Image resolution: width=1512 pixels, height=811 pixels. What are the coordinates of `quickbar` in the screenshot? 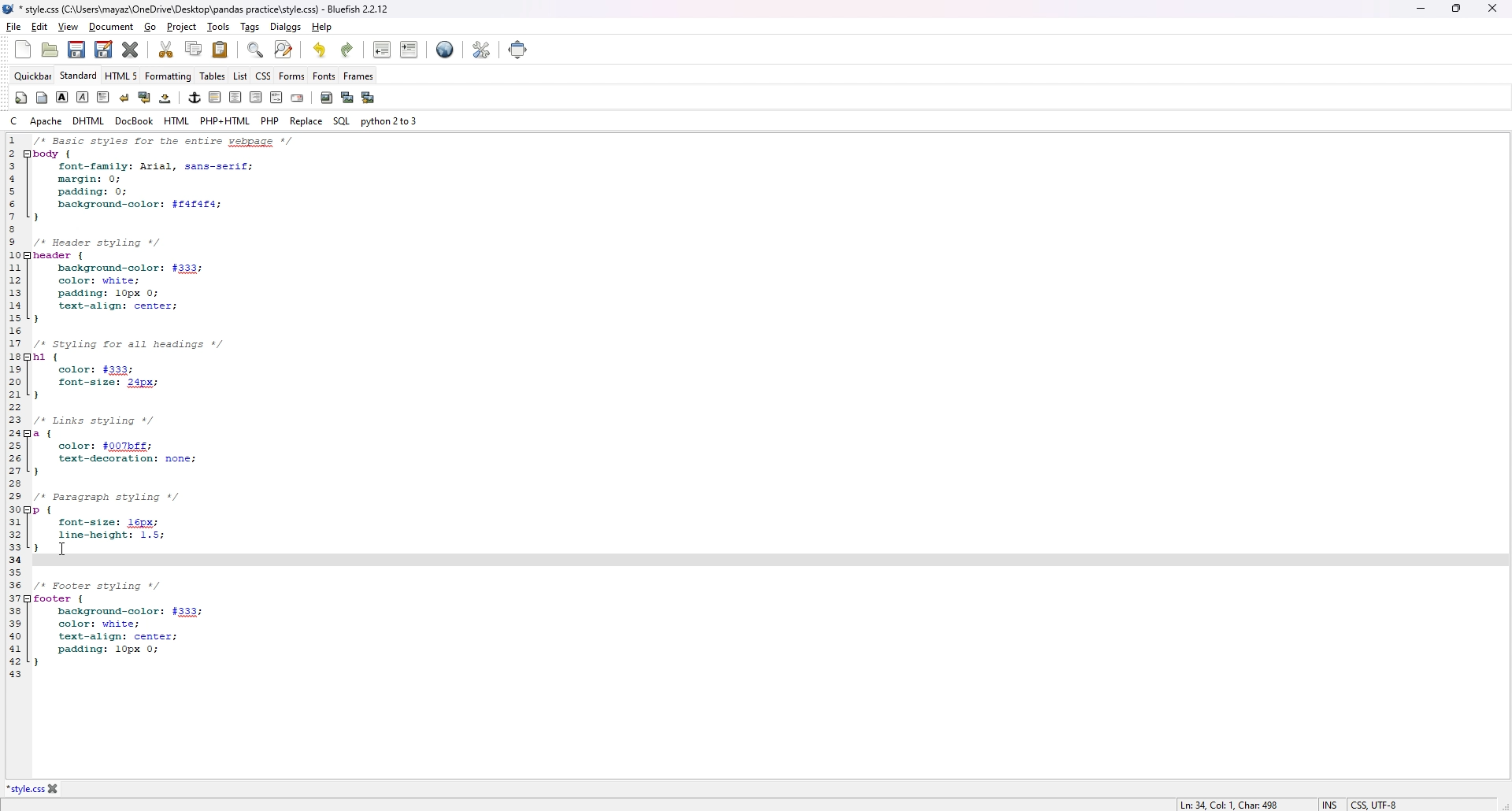 It's located at (33, 76).